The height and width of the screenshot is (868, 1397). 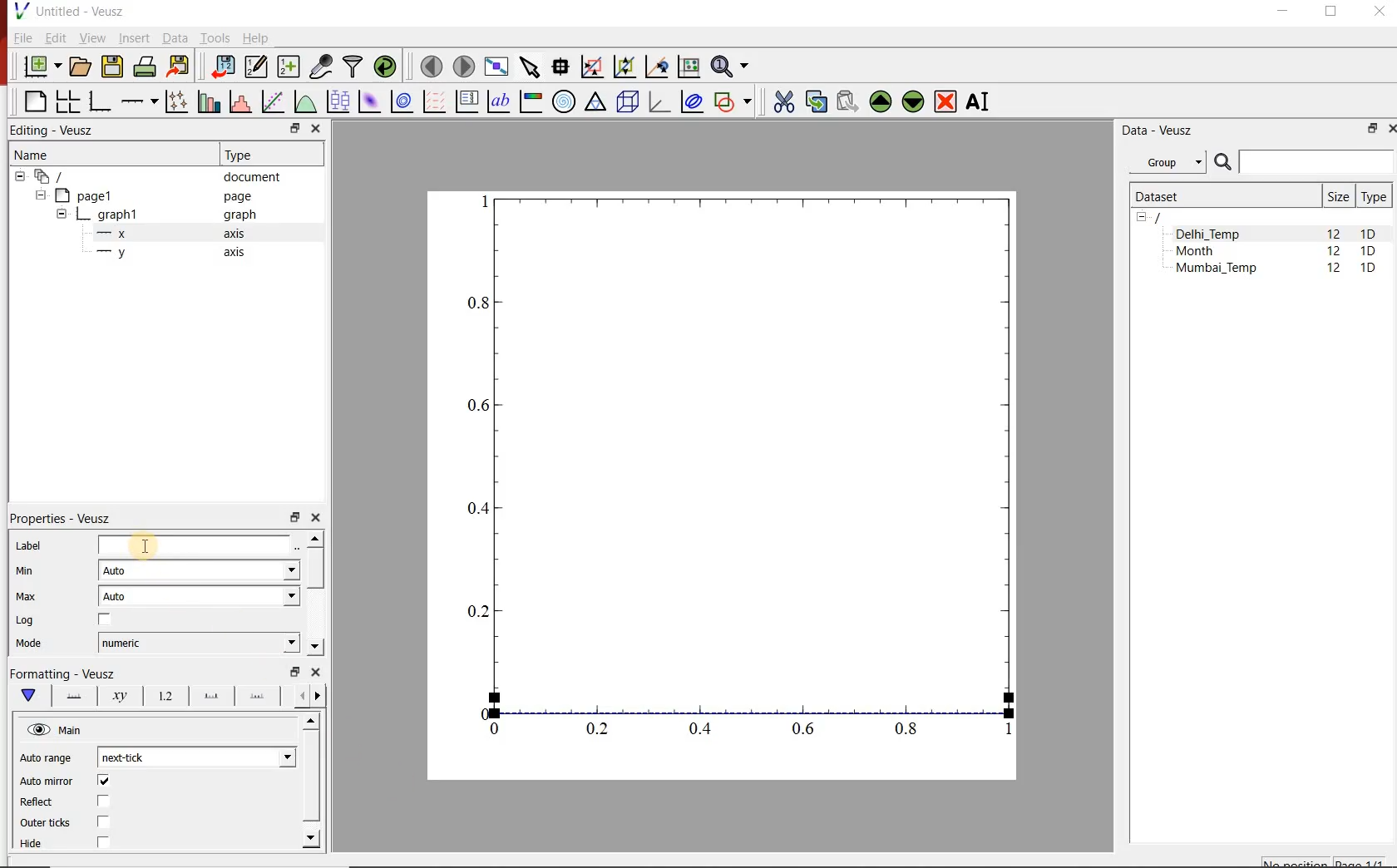 I want to click on Data - Veusz, so click(x=1160, y=131).